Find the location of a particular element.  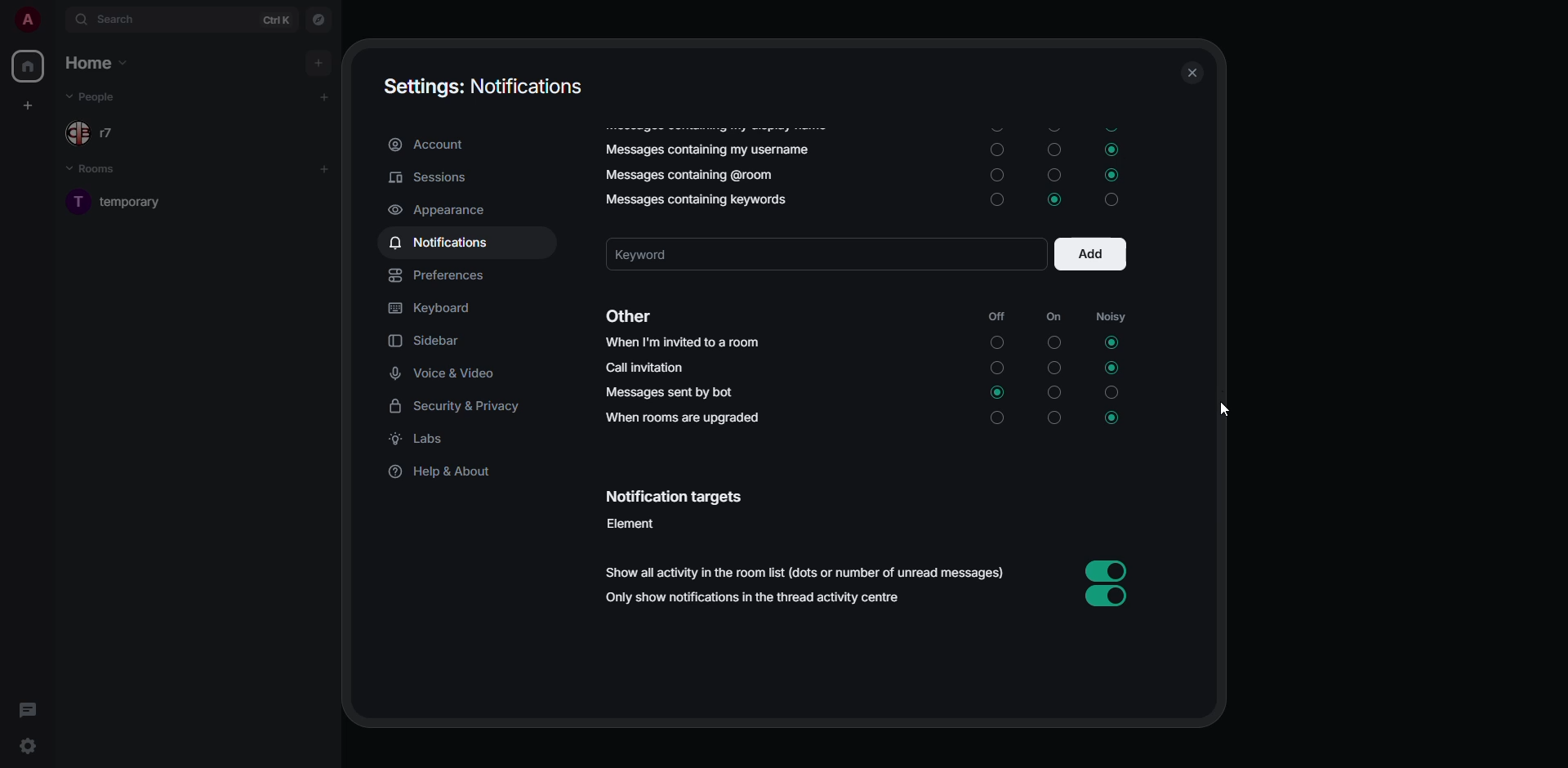

keyboard is located at coordinates (434, 308).